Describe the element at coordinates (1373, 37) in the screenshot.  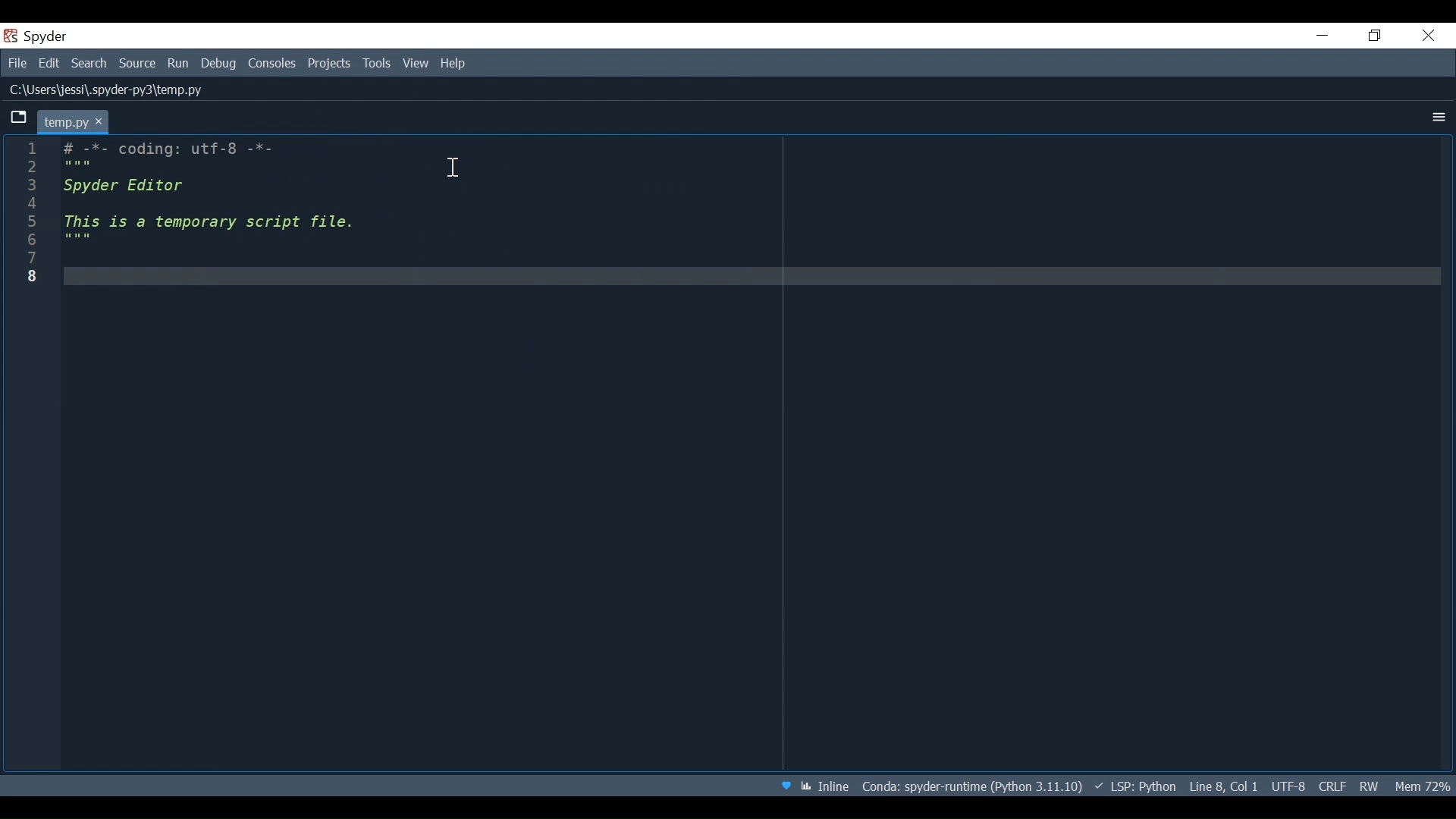
I see `Restore` at that location.